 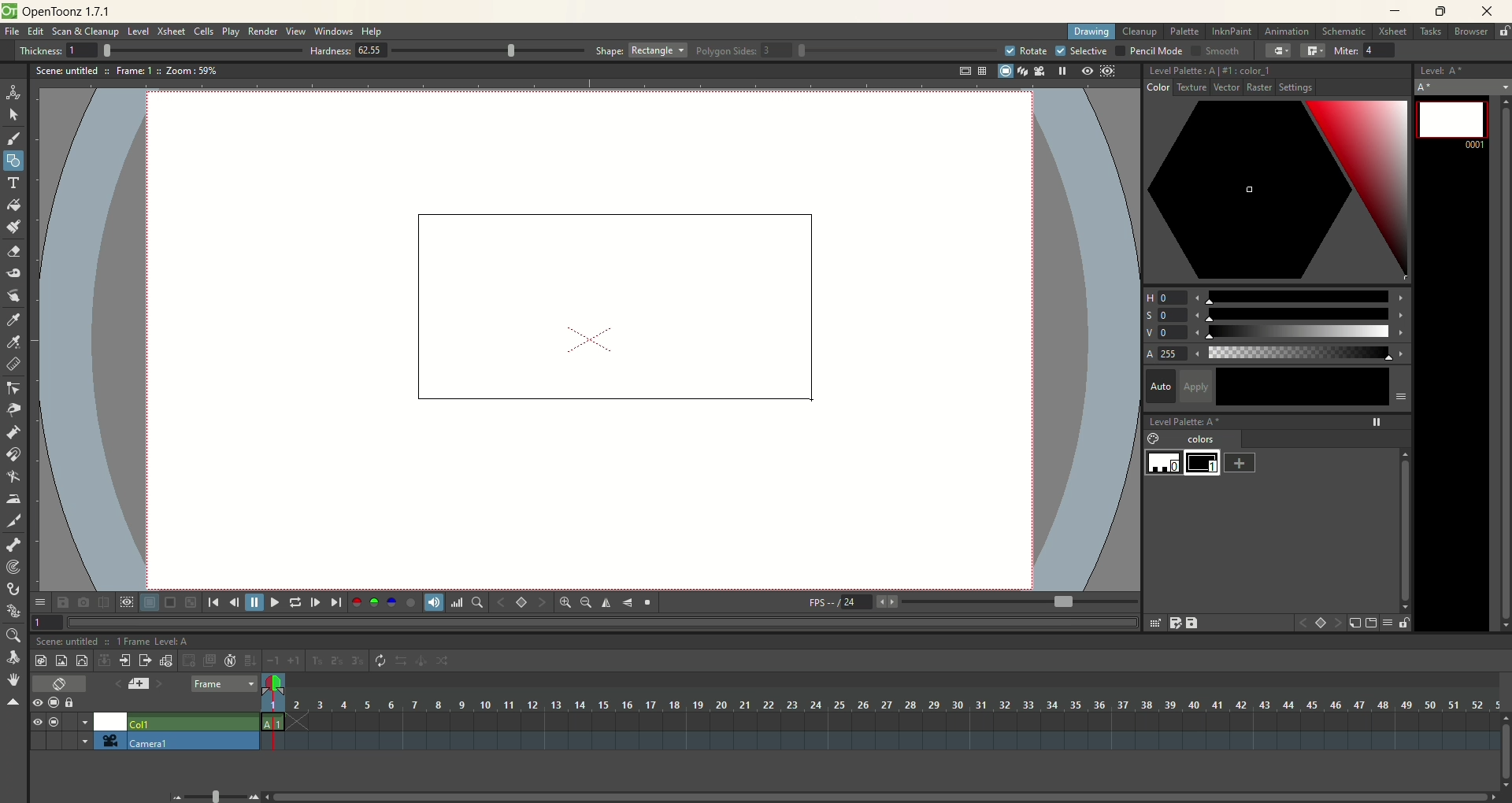 What do you see at coordinates (13, 159) in the screenshot?
I see `geometry tool` at bounding box center [13, 159].